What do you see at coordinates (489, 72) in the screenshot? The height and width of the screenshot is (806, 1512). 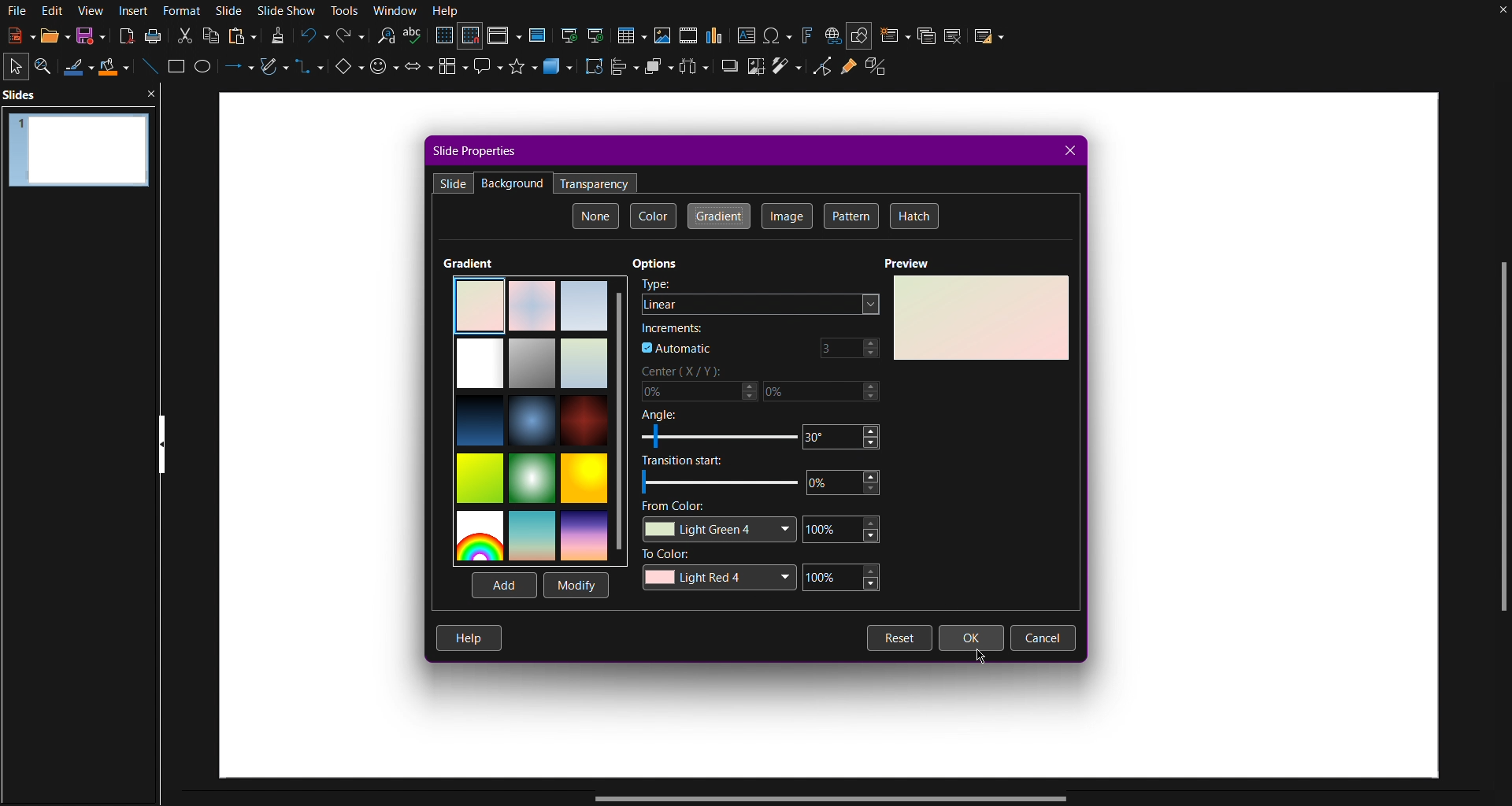 I see `Callout Shapes` at bounding box center [489, 72].